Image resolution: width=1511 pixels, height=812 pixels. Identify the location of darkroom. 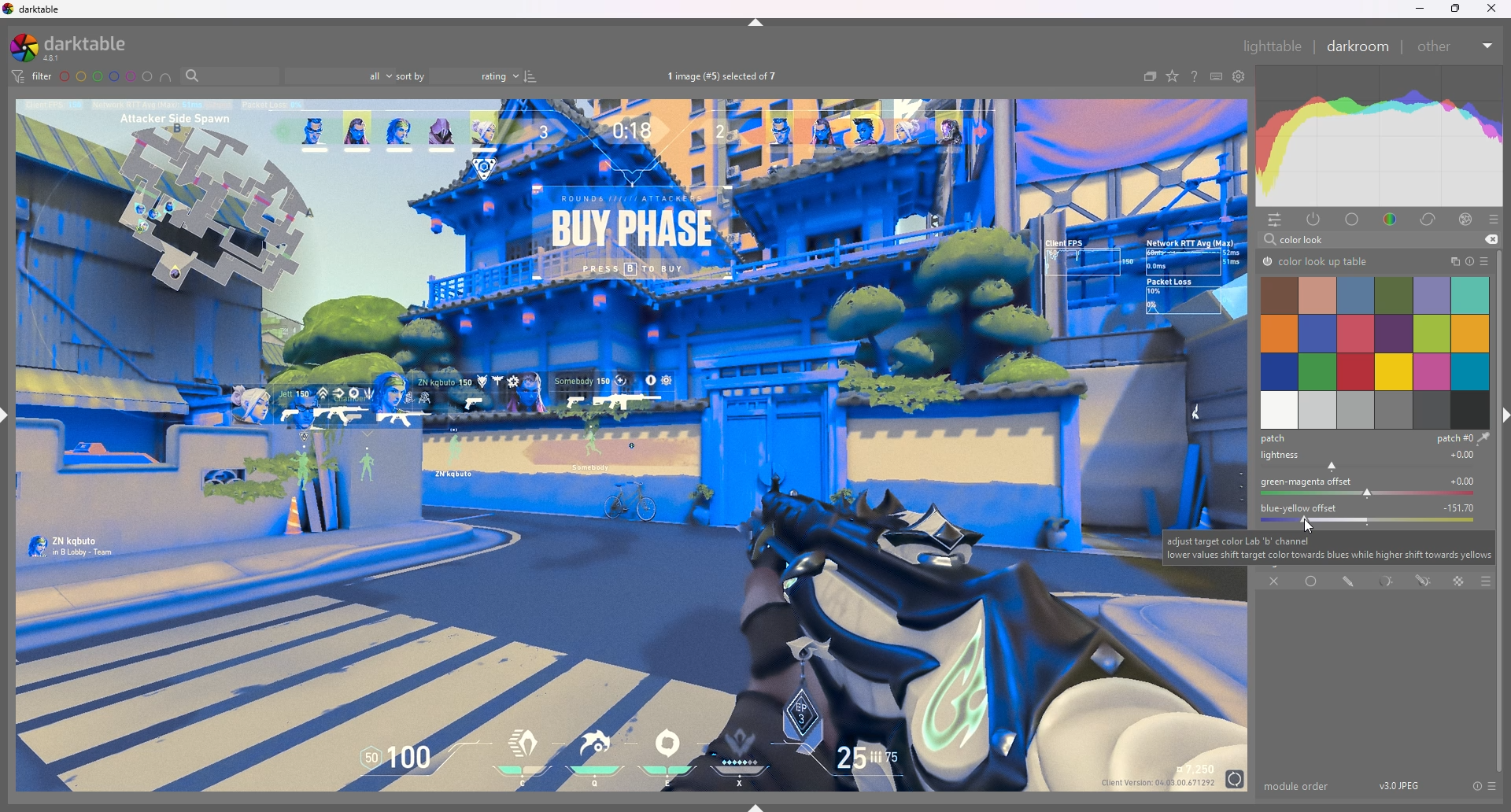
(1358, 45).